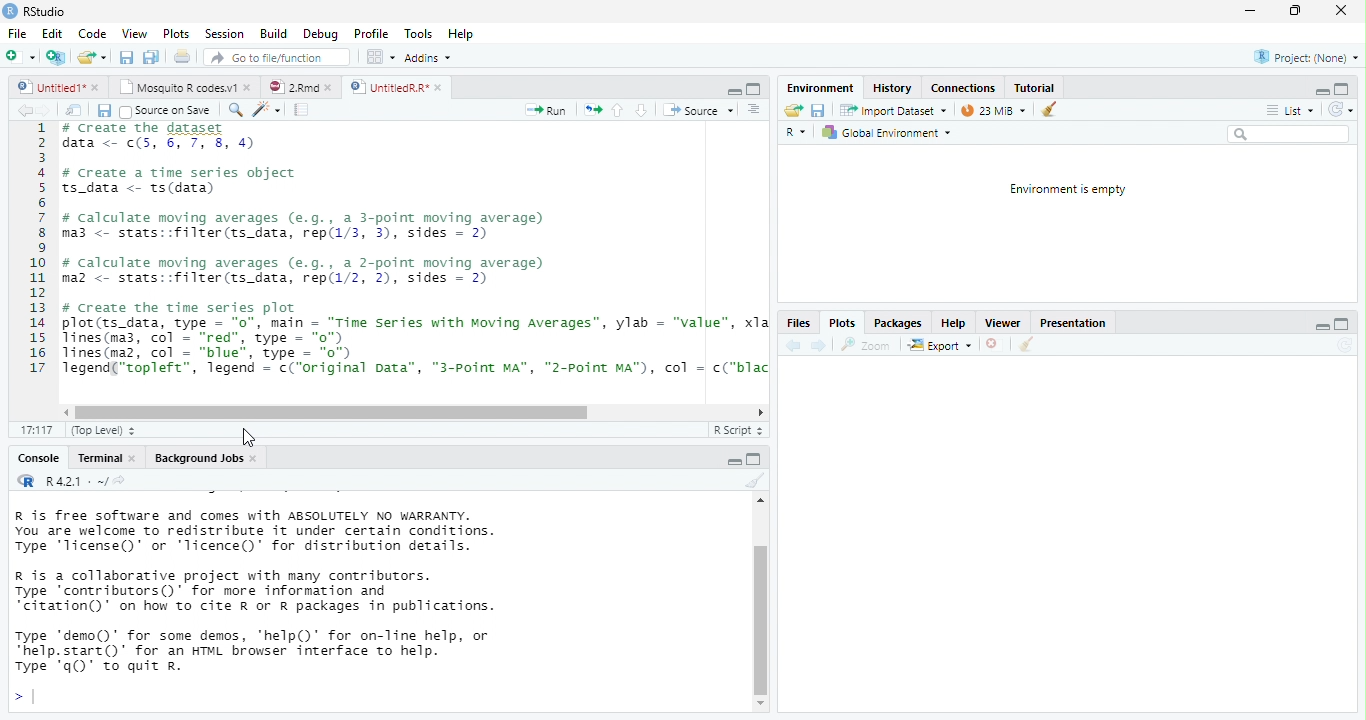 This screenshot has width=1366, height=720. Describe the element at coordinates (441, 88) in the screenshot. I see `close` at that location.